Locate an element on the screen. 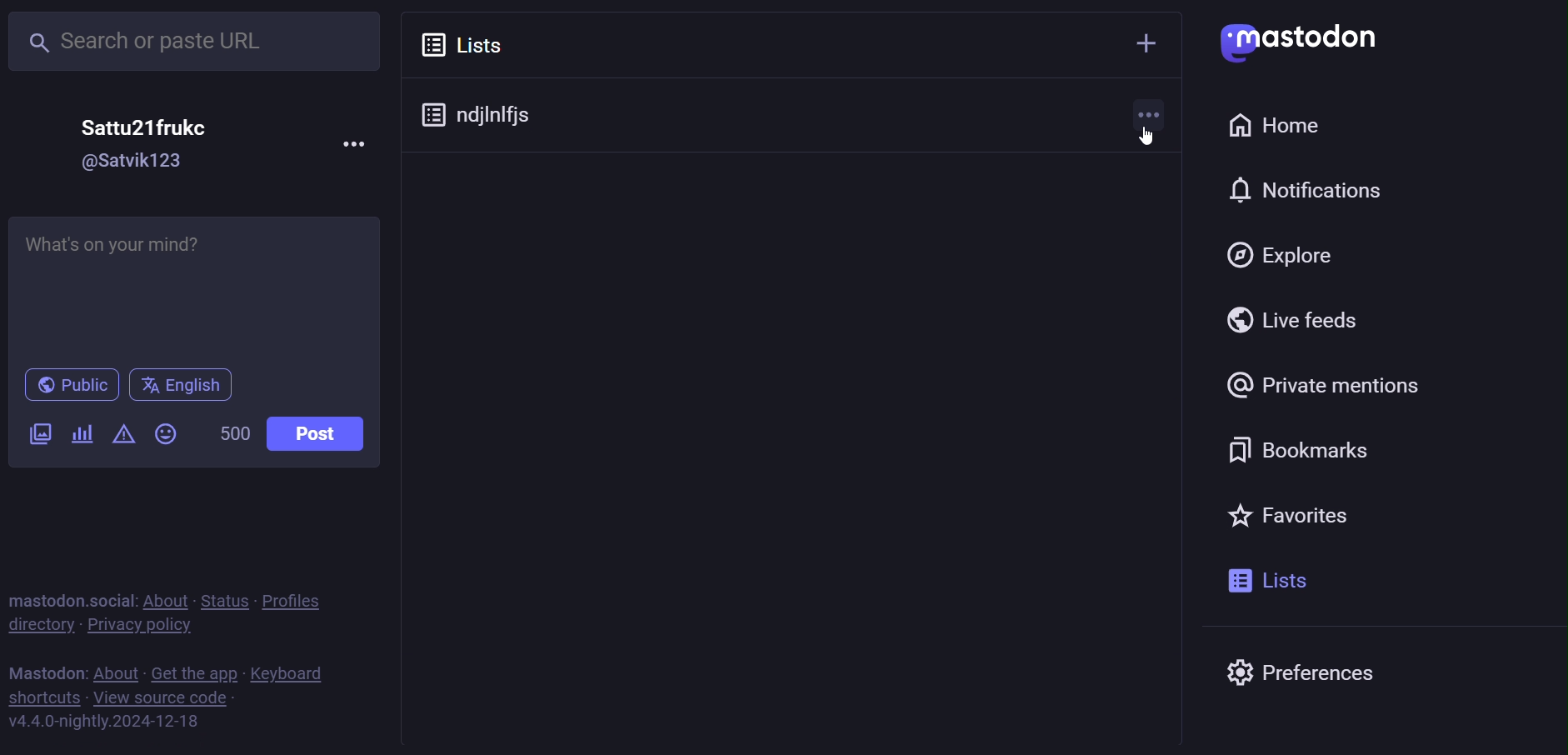 The width and height of the screenshot is (1568, 755). v4.4.0-nightly.2024-12-18 is located at coordinates (140, 723).